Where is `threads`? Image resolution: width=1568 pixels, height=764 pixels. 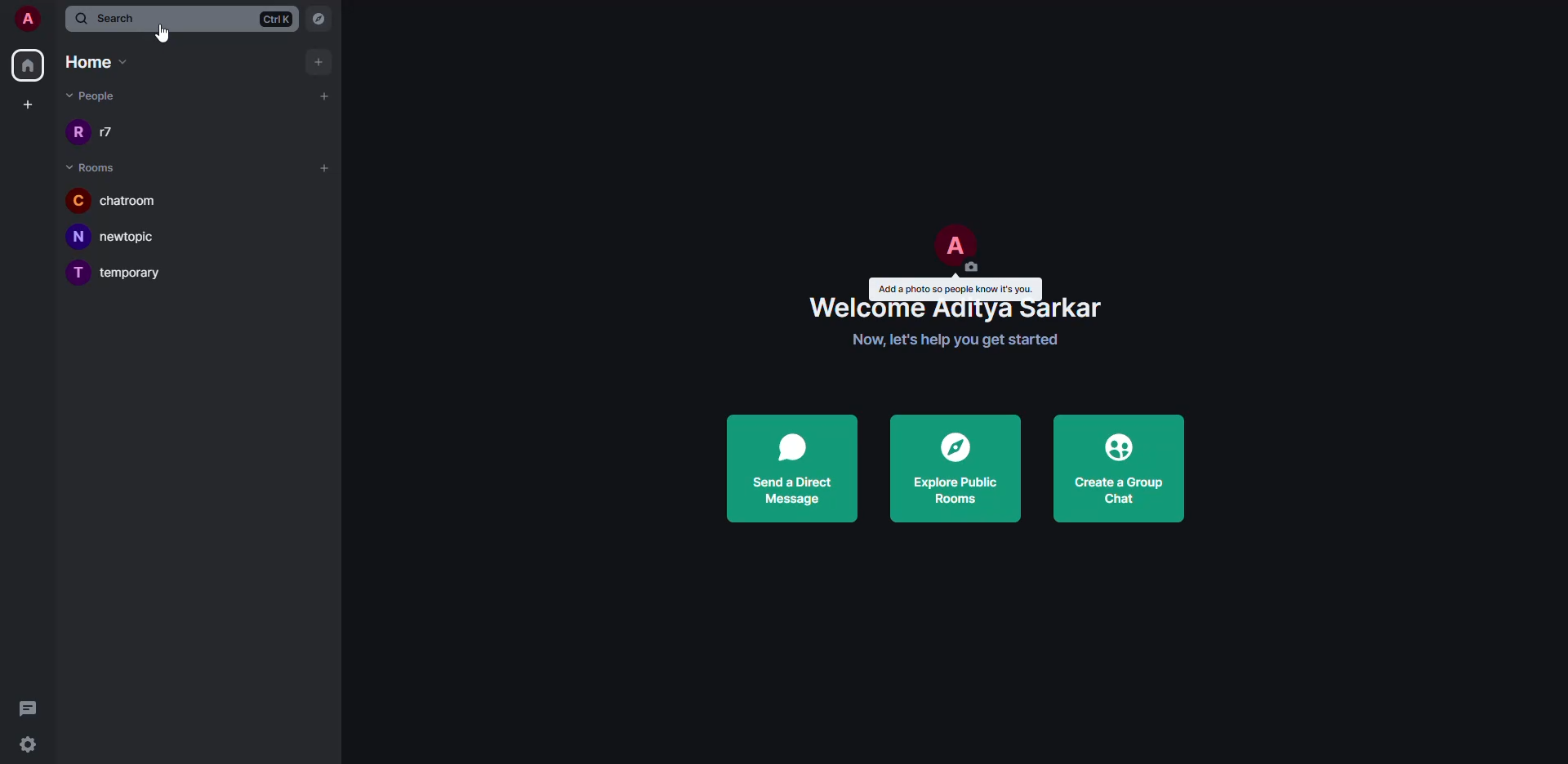 threads is located at coordinates (27, 708).